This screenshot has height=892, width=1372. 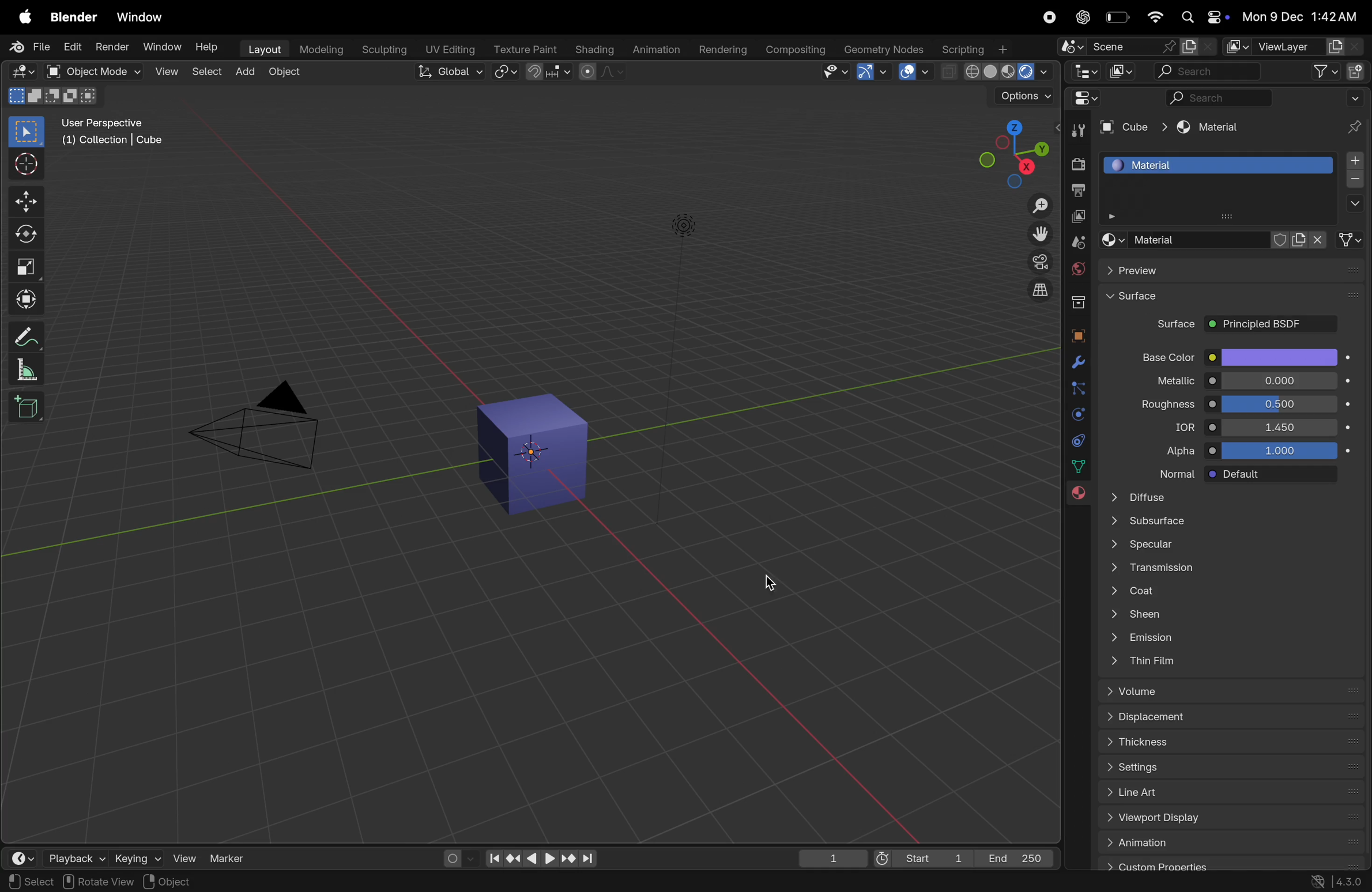 I want to click on options, so click(x=1023, y=97).